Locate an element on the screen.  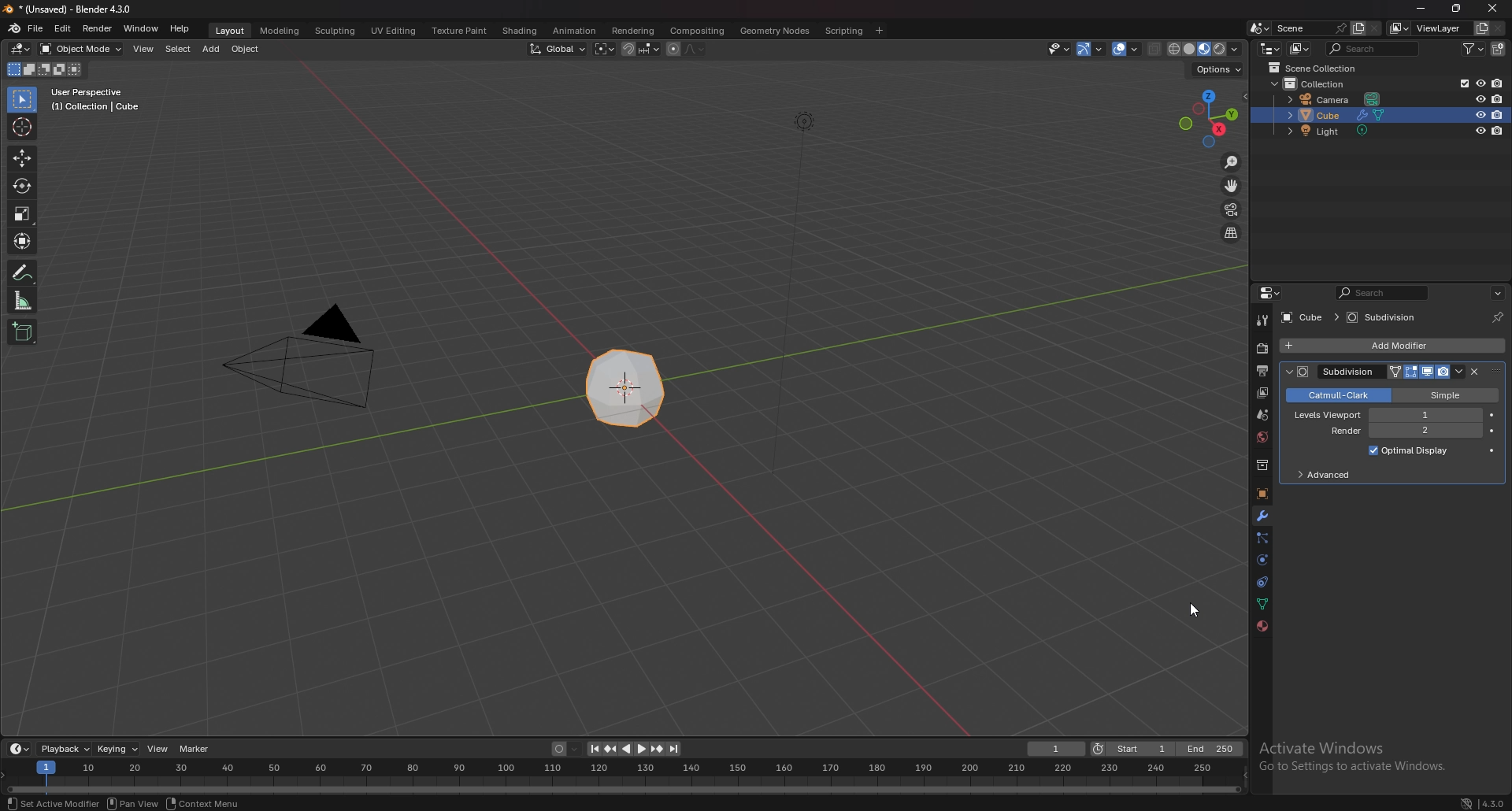
modifier properties is located at coordinates (1428, 372).